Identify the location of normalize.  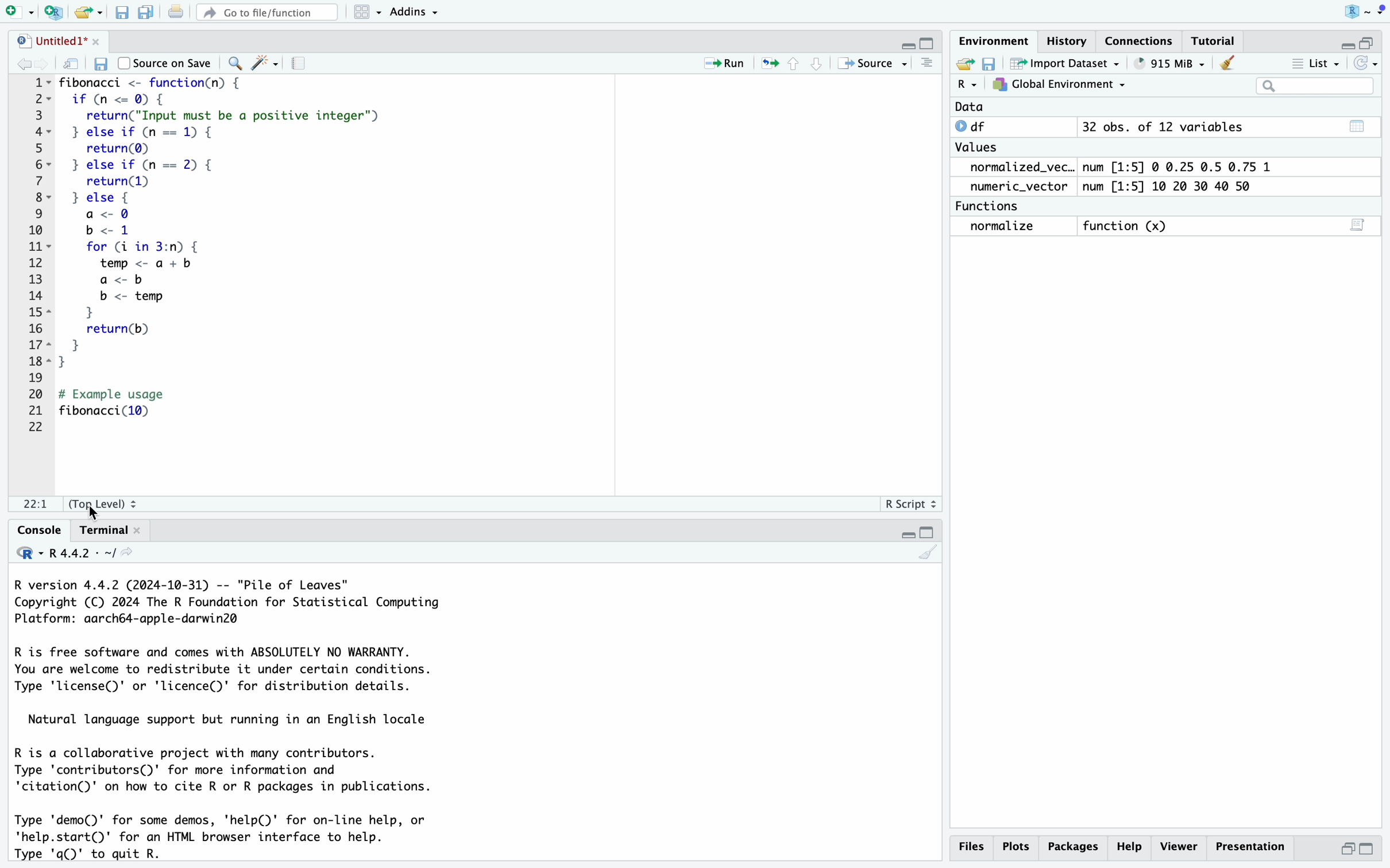
(1001, 227).